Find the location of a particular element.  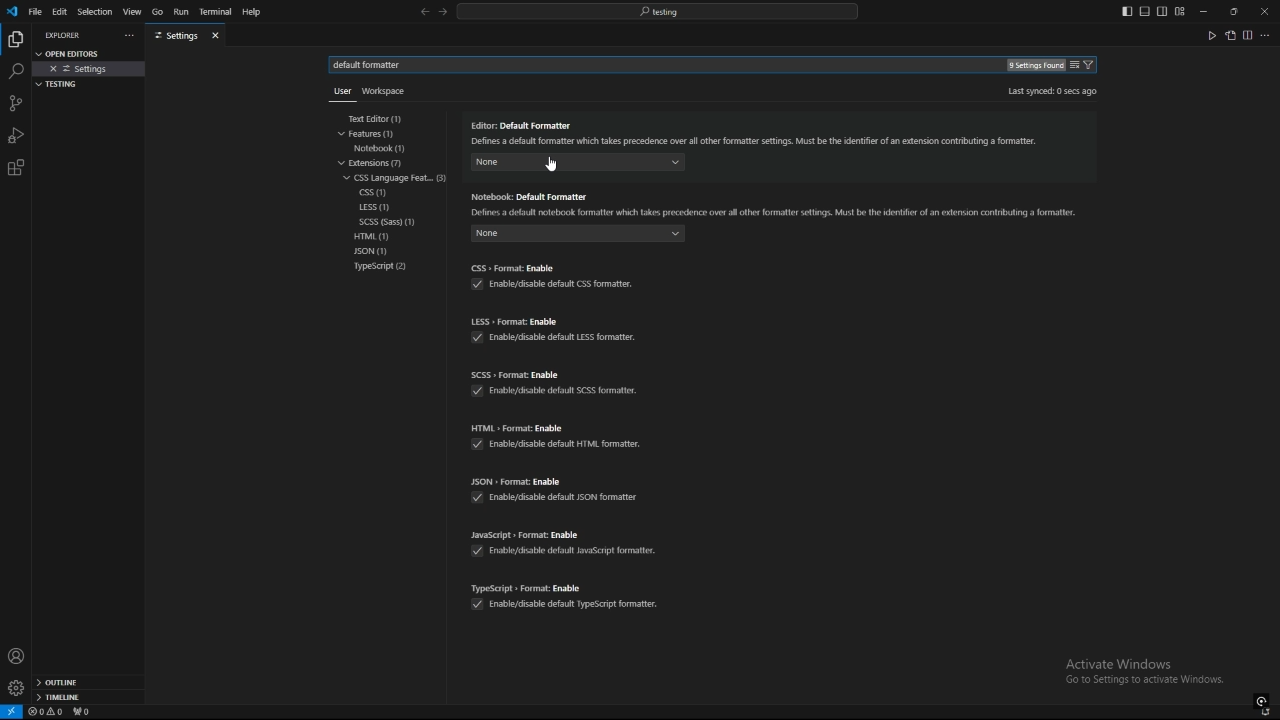

change settings  is located at coordinates (1074, 65).